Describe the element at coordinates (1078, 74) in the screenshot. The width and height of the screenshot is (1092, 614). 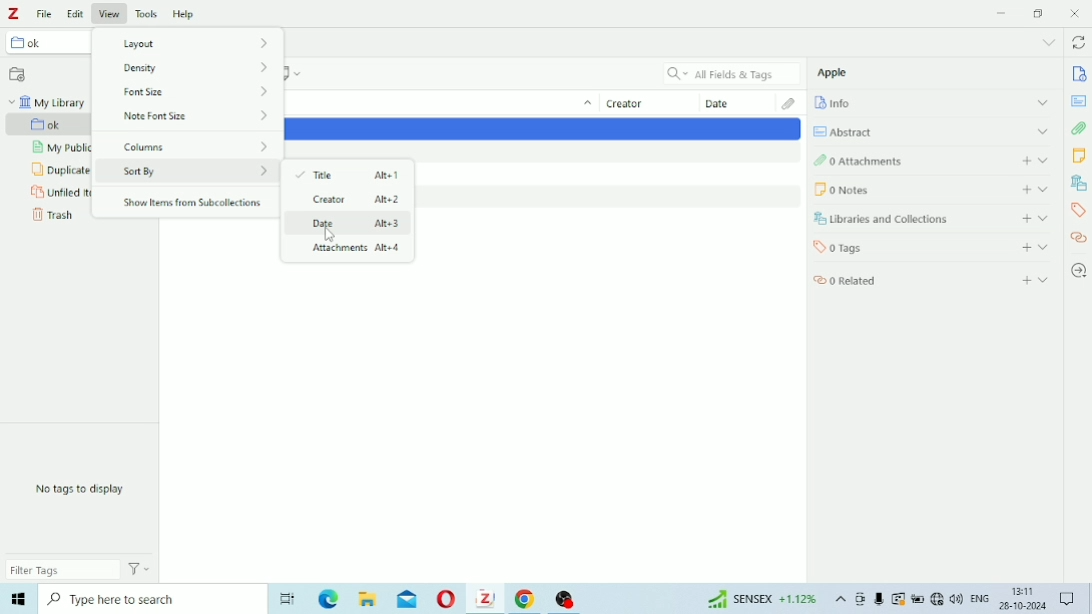
I see `Info` at that location.